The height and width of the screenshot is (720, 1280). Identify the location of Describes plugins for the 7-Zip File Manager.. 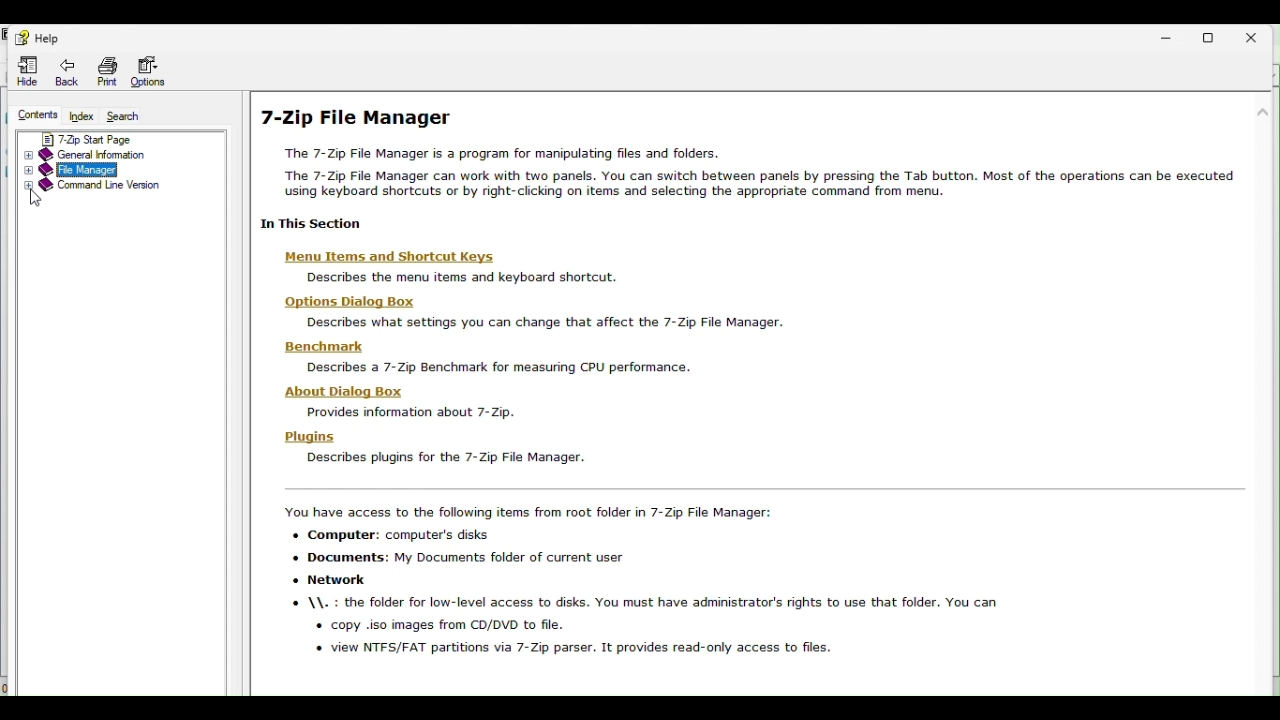
(447, 457).